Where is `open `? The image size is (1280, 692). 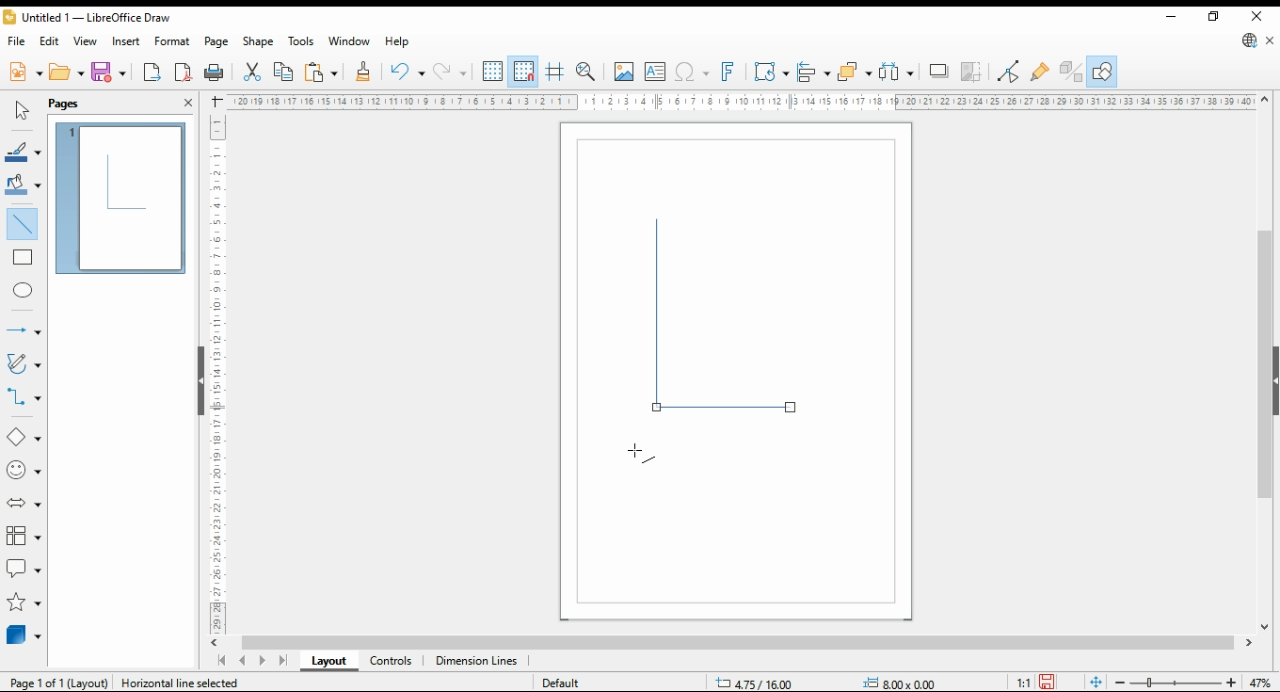 open  is located at coordinates (67, 72).